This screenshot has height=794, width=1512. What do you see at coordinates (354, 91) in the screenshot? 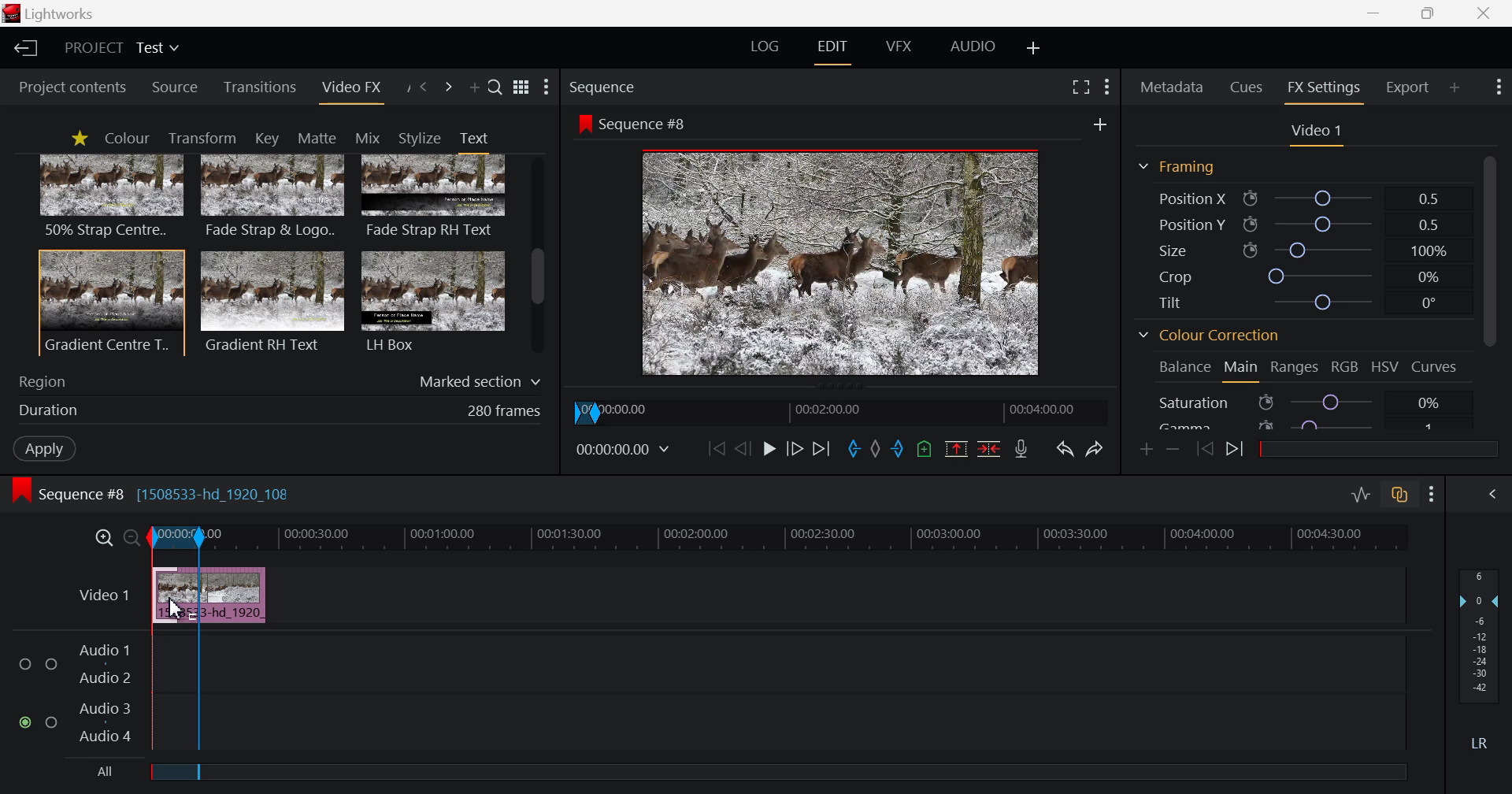
I see `Video FX Panel Open` at bounding box center [354, 91].